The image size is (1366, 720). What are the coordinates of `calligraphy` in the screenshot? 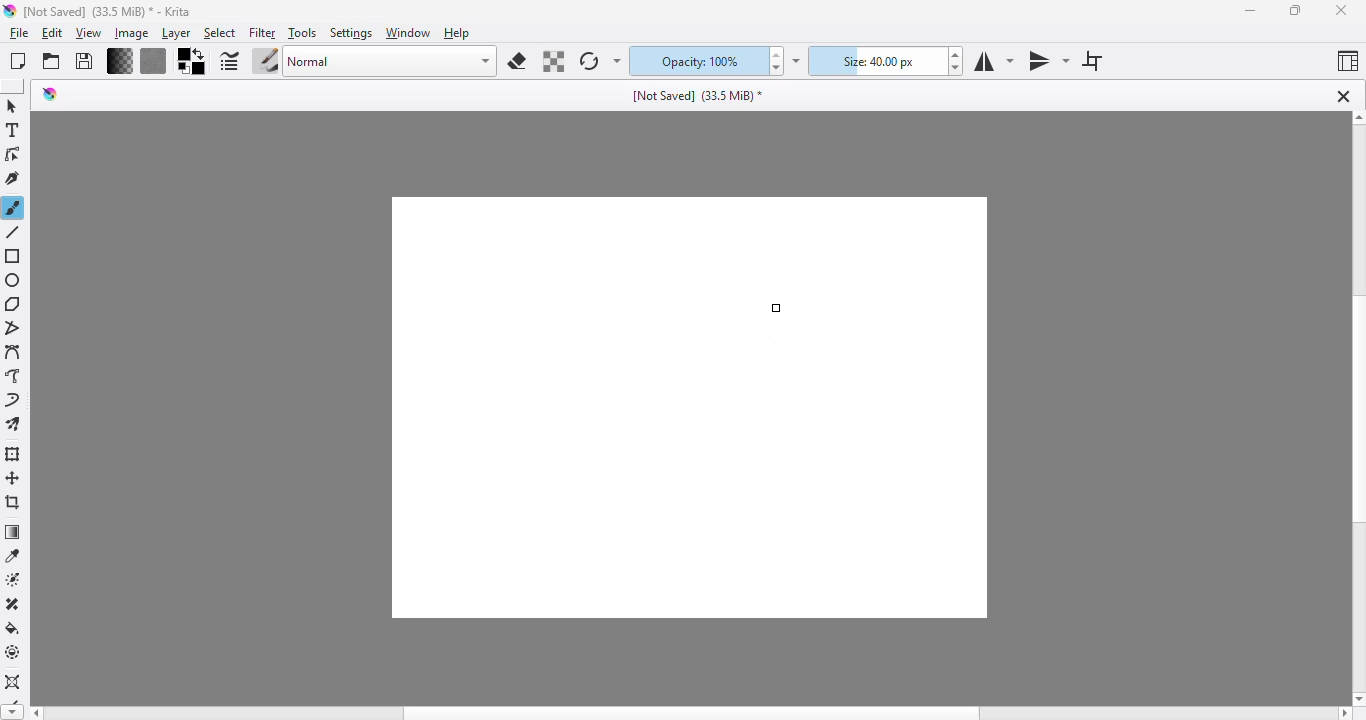 It's located at (13, 178).